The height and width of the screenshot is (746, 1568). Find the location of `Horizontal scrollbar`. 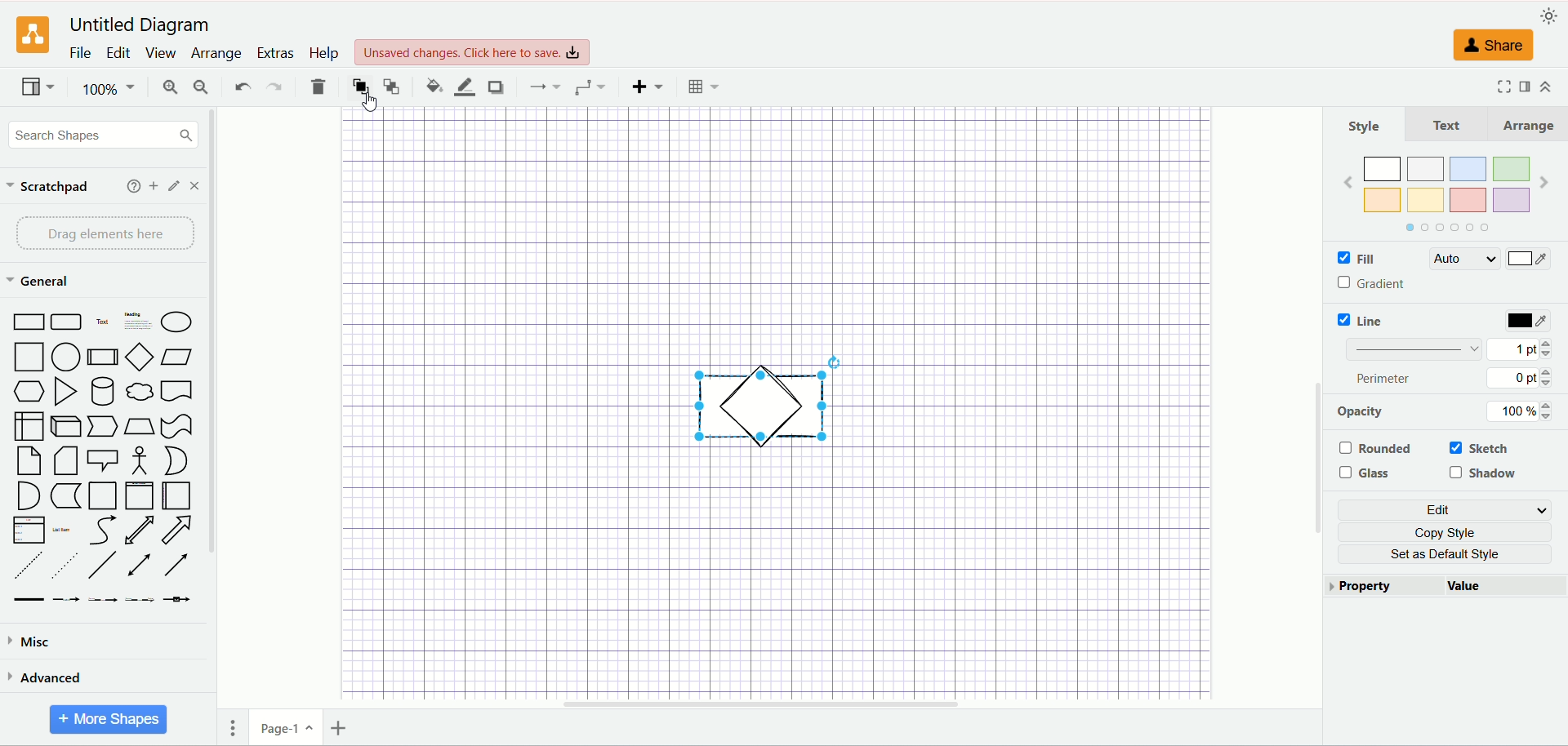

Horizontal scrollbar is located at coordinates (759, 704).